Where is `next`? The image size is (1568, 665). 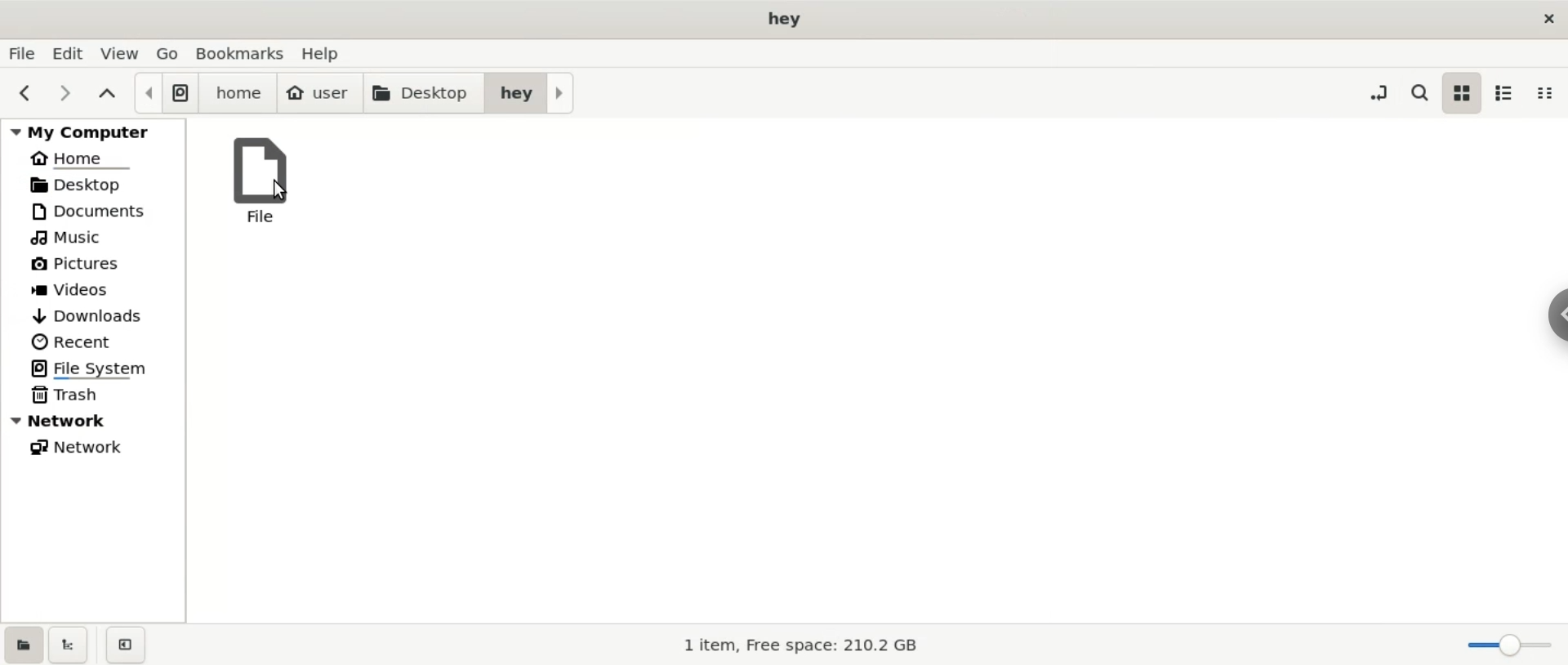
next is located at coordinates (66, 94).